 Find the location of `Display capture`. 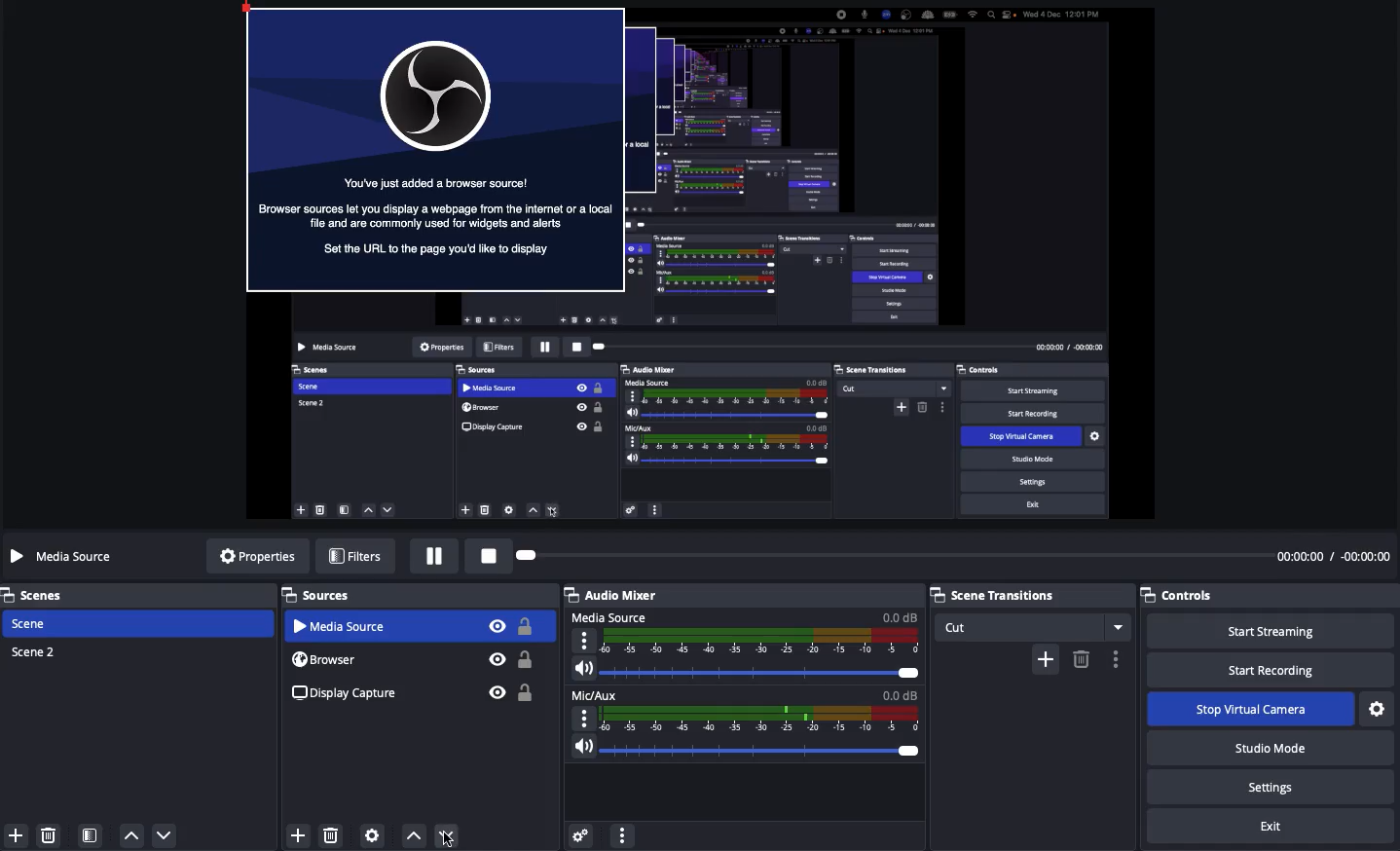

Display capture is located at coordinates (348, 692).